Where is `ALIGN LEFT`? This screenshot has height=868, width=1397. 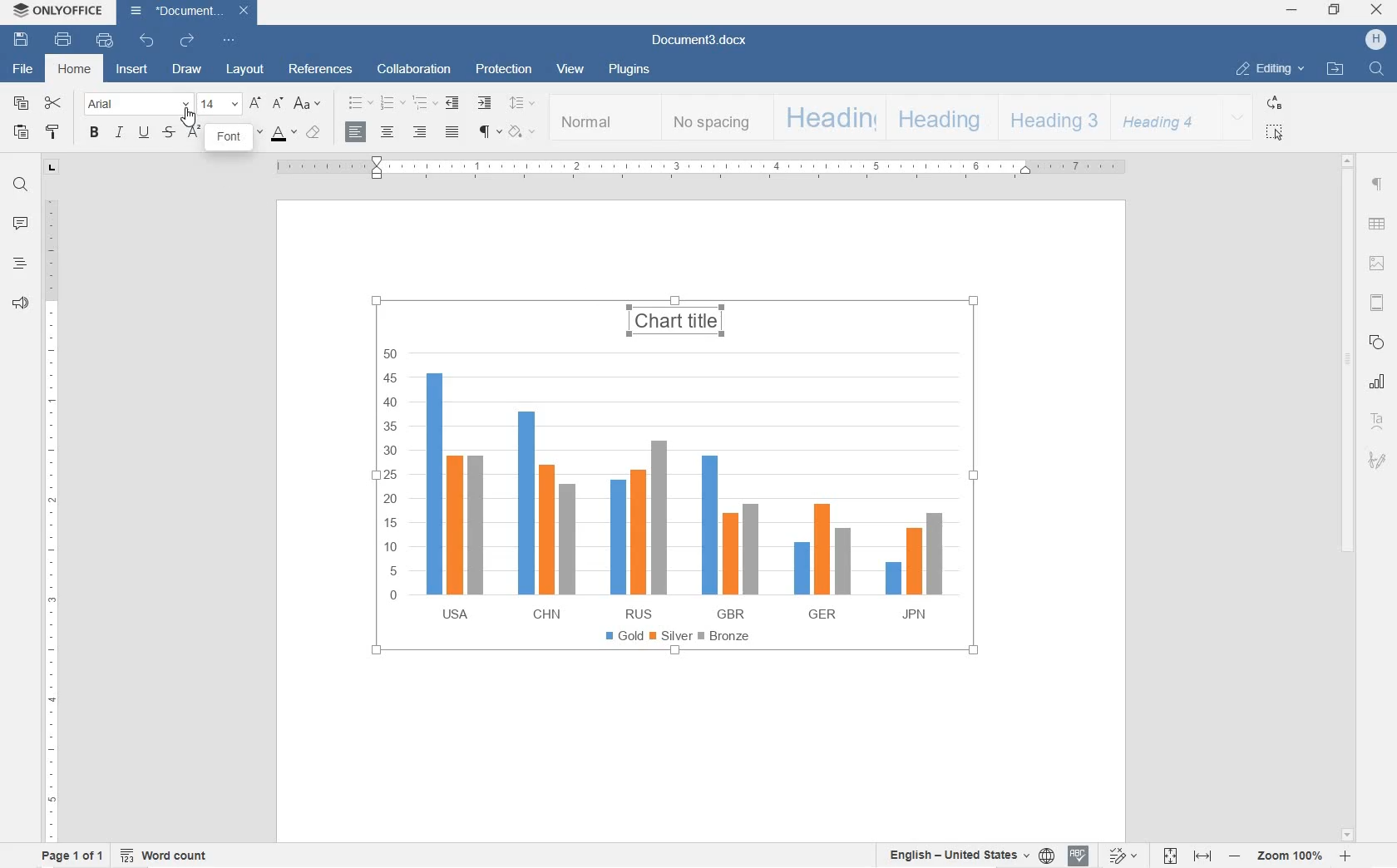
ALIGN LEFT is located at coordinates (355, 134).